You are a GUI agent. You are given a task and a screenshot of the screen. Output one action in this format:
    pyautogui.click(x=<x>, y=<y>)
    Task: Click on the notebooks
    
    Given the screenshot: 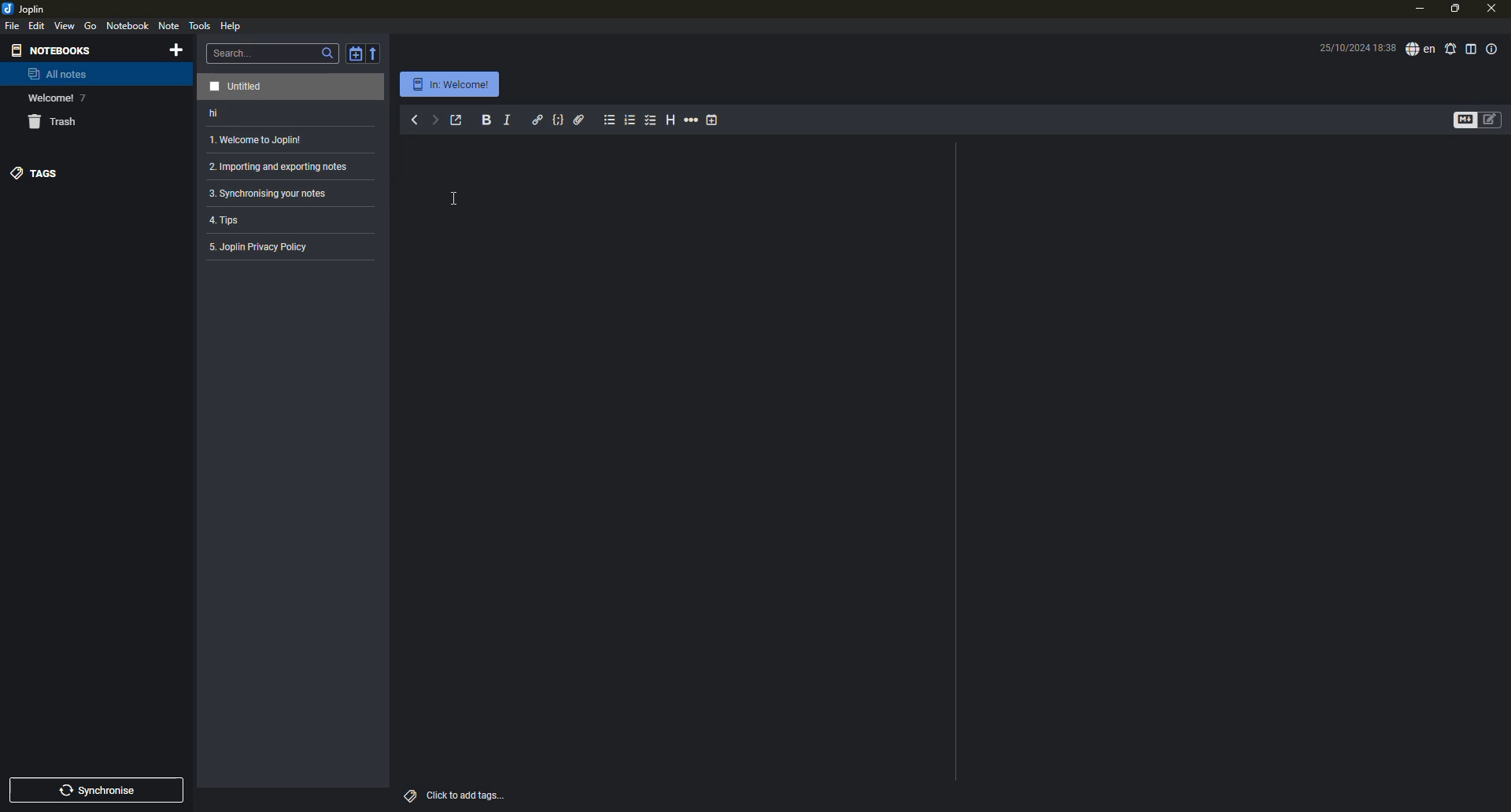 What is the action you would take?
    pyautogui.click(x=50, y=50)
    